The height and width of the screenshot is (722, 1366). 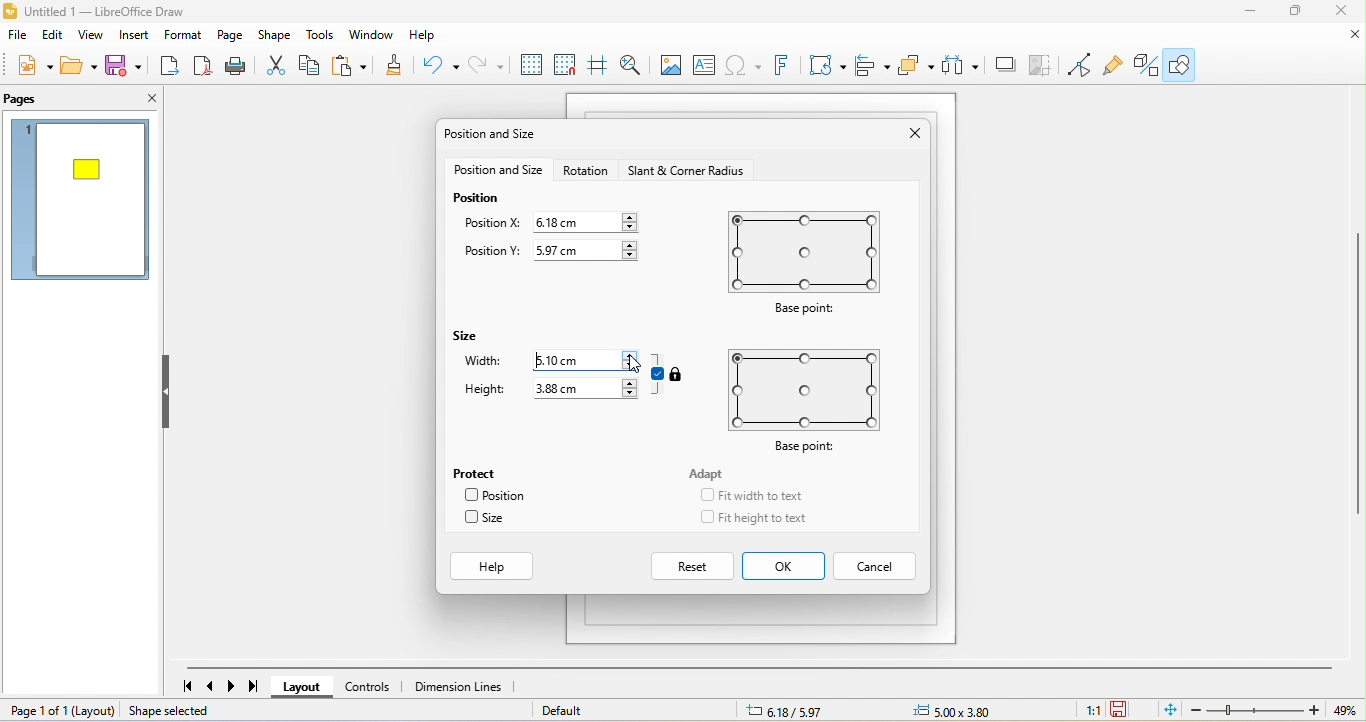 What do you see at coordinates (19, 34) in the screenshot?
I see `file` at bounding box center [19, 34].